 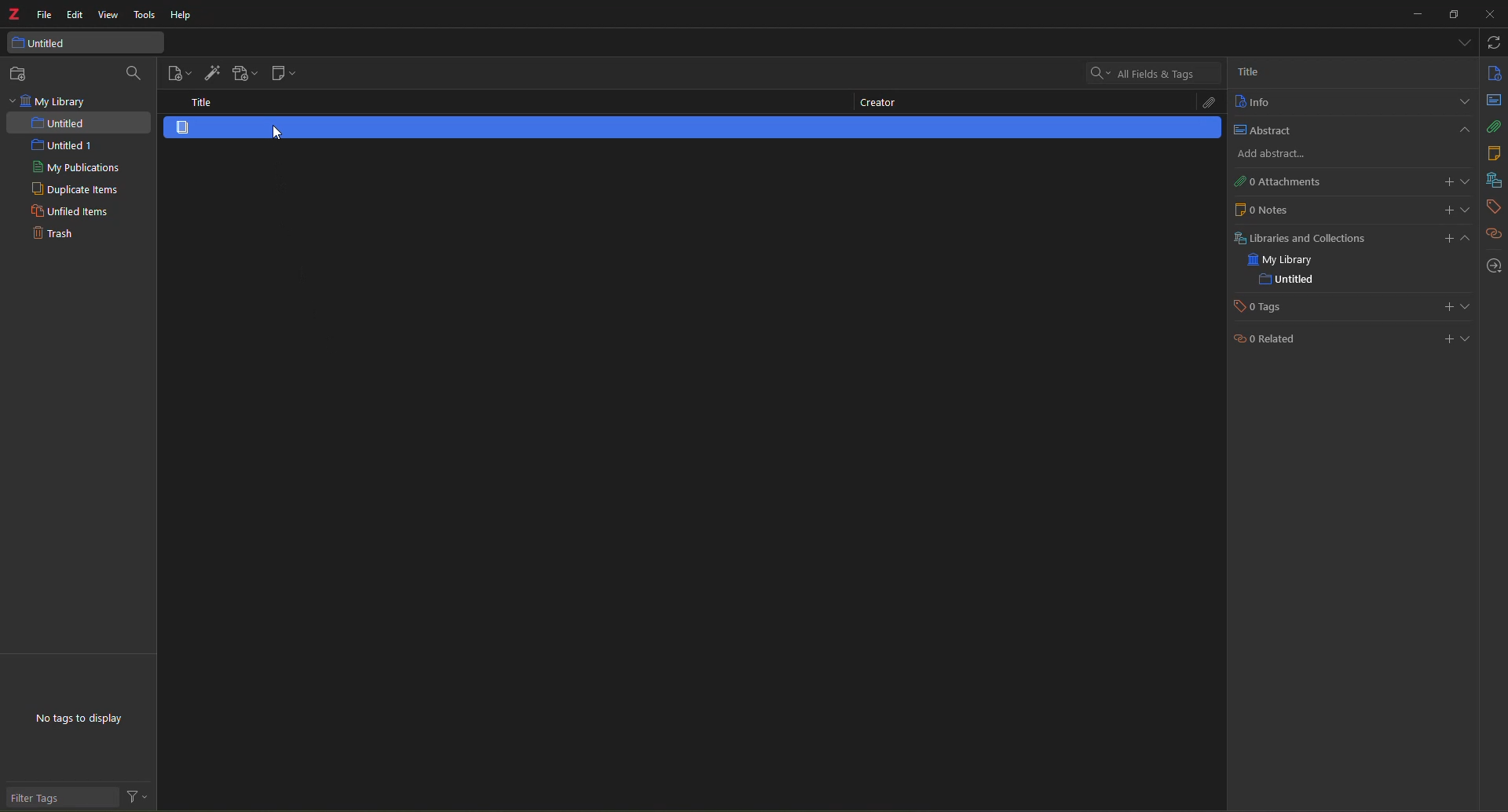 I want to click on untitled, so click(x=52, y=43).